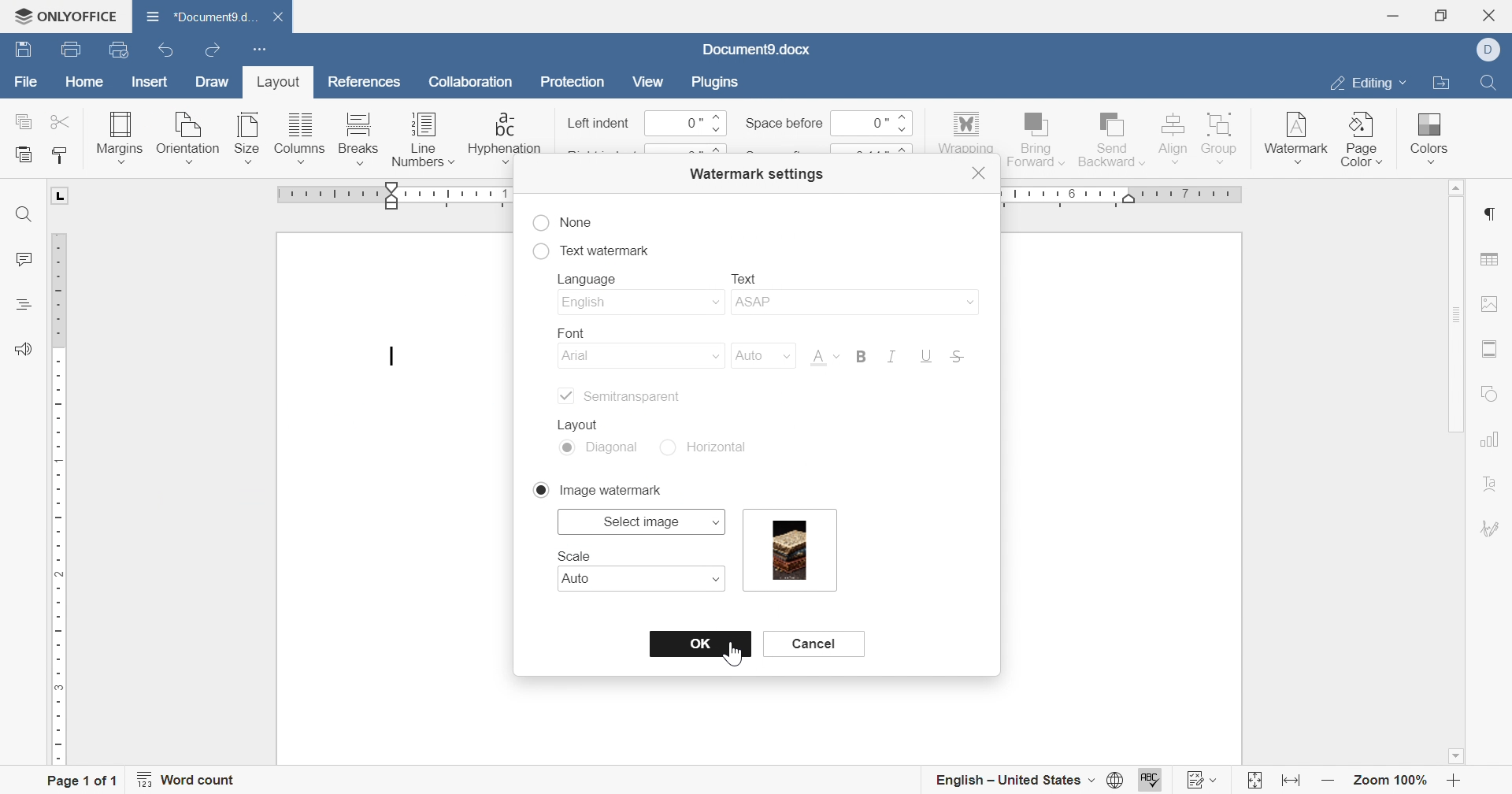  I want to click on find, so click(24, 215).